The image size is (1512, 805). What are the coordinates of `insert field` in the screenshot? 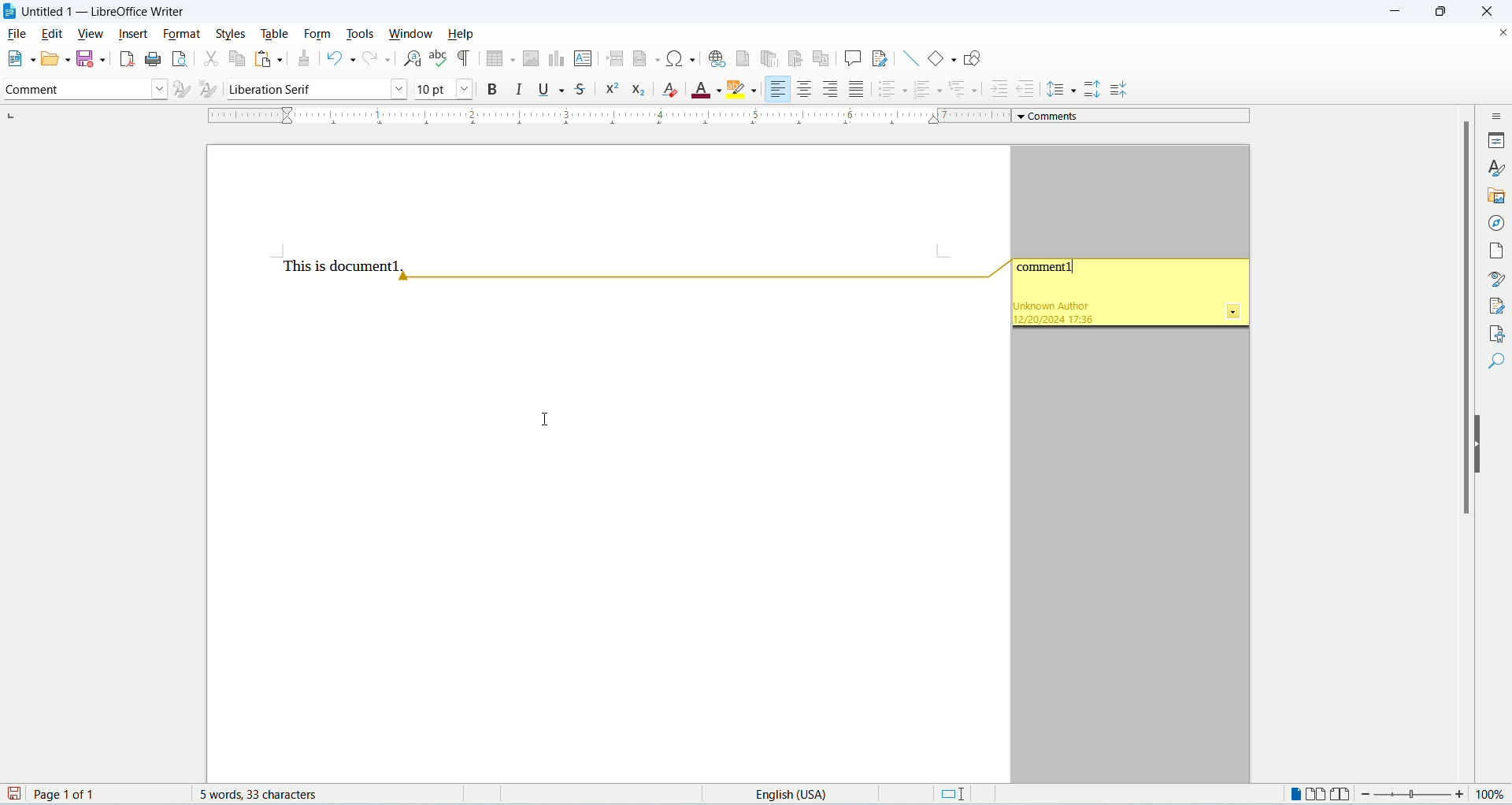 It's located at (646, 58).